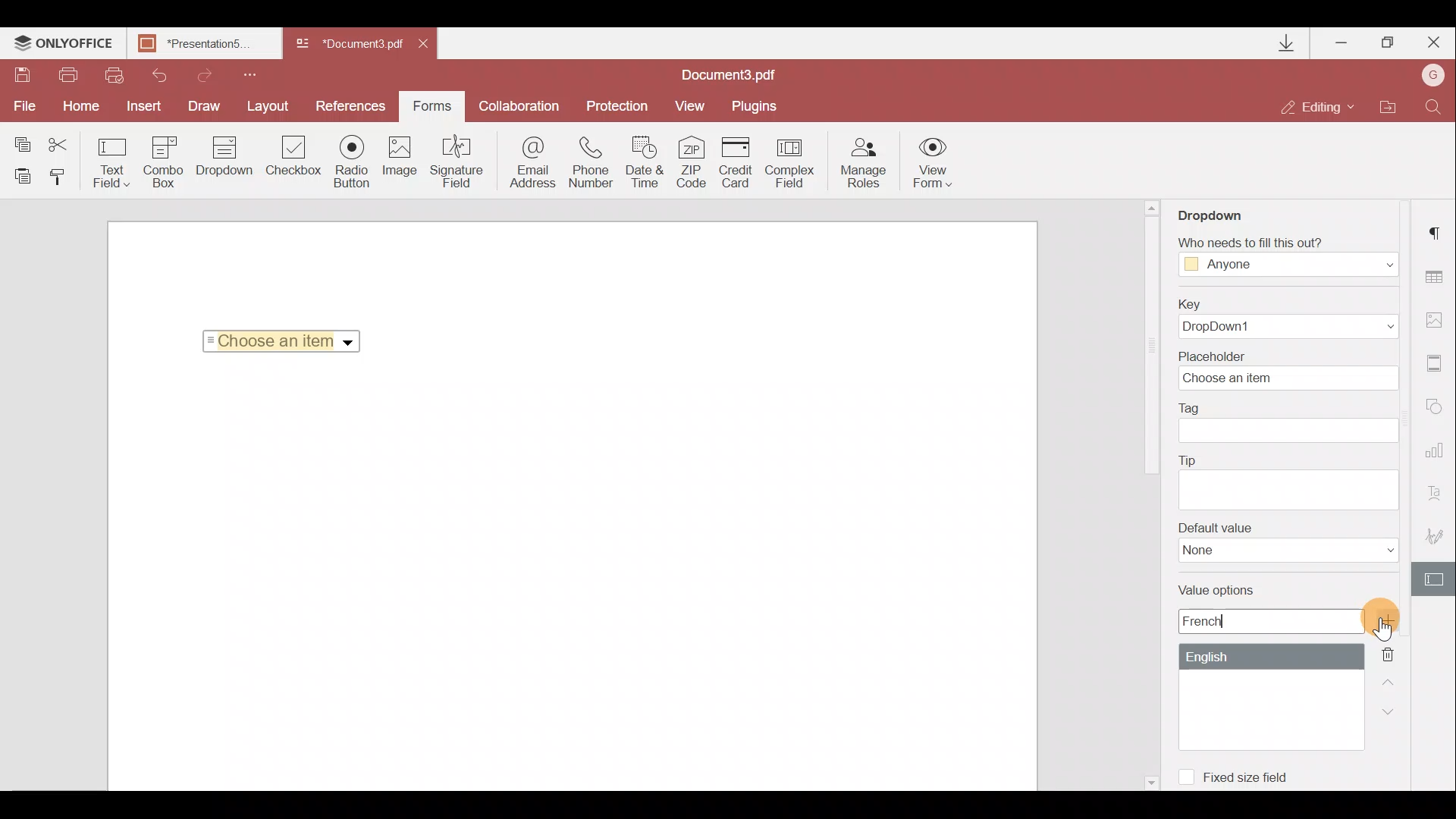 Image resolution: width=1456 pixels, height=819 pixels. What do you see at coordinates (1397, 653) in the screenshot?
I see `Delete` at bounding box center [1397, 653].